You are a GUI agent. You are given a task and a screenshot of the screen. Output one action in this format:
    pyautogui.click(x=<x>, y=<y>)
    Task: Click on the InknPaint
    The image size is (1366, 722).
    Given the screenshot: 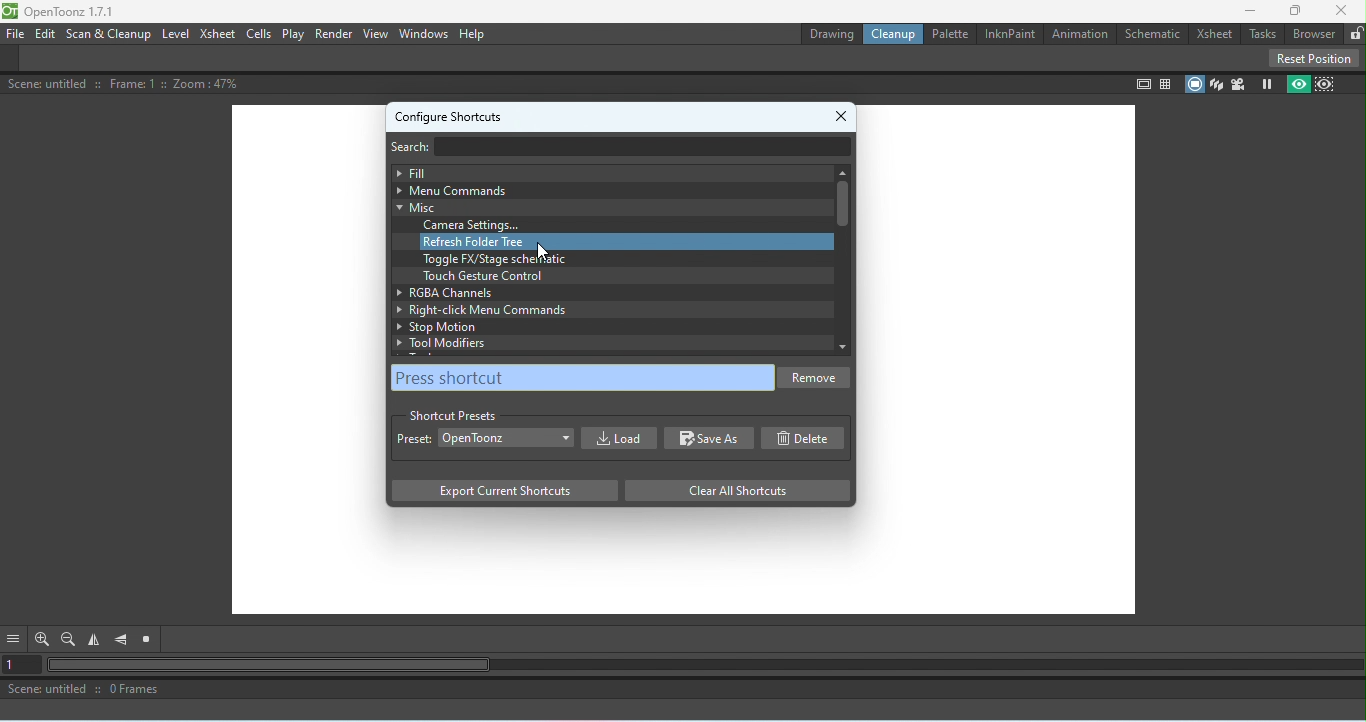 What is the action you would take?
    pyautogui.click(x=1008, y=34)
    